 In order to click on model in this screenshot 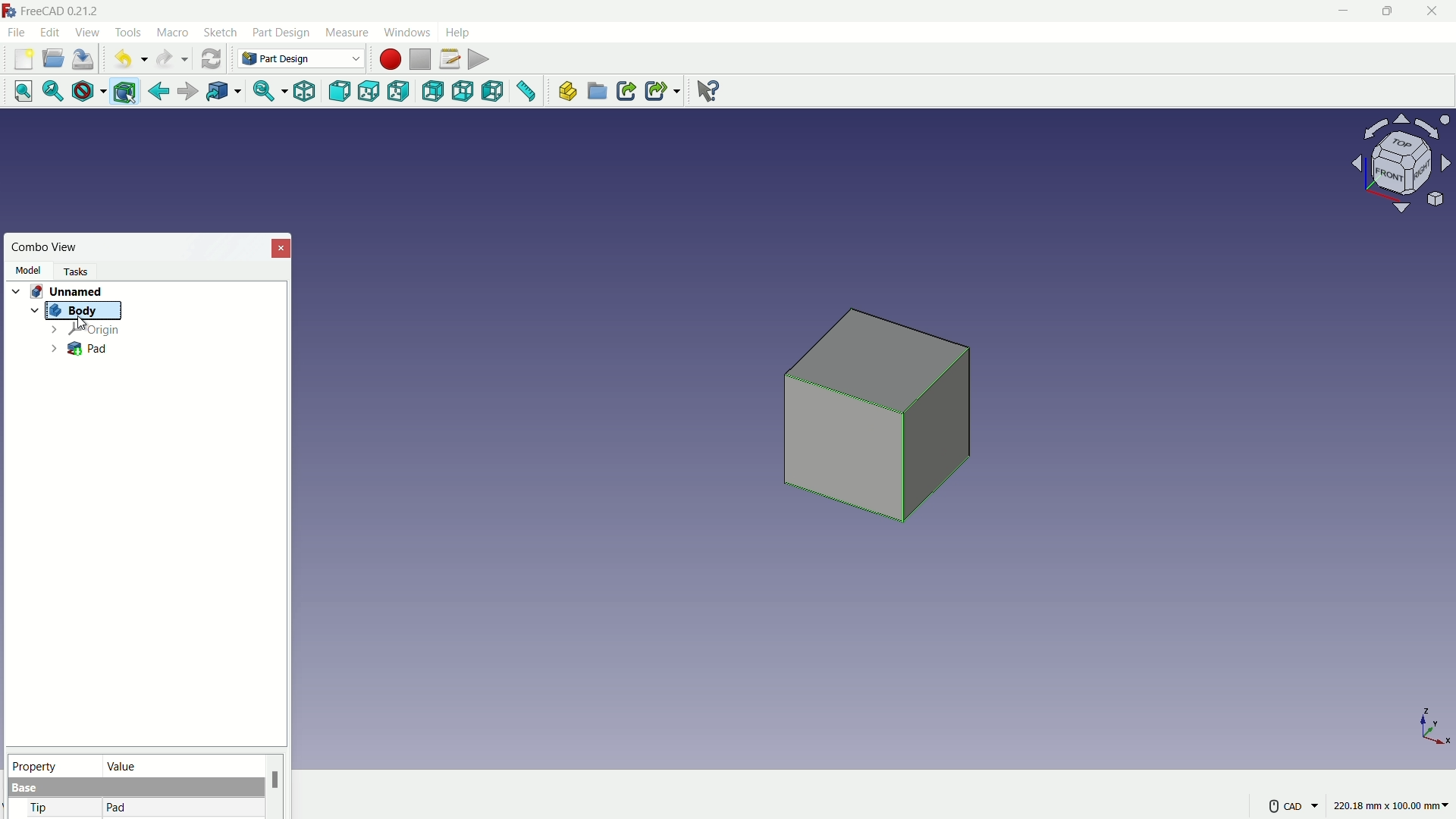, I will do `click(27, 270)`.